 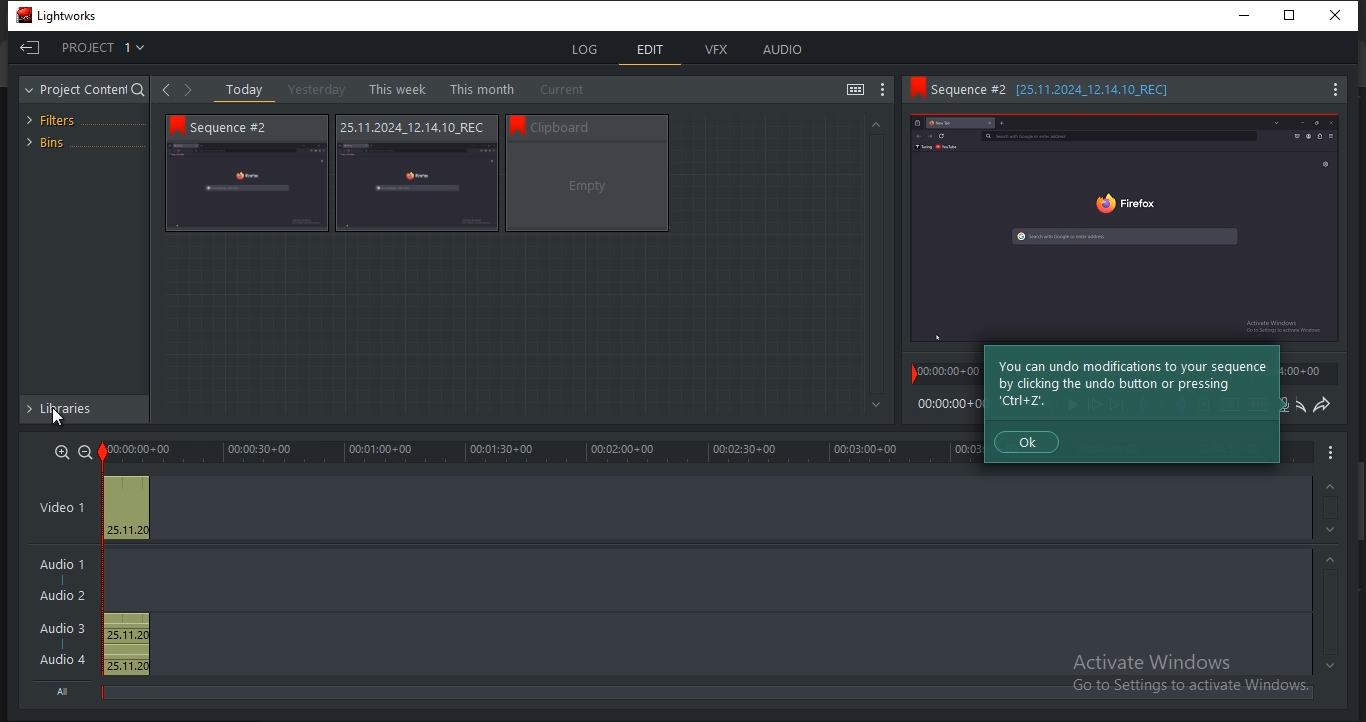 What do you see at coordinates (602, 126) in the screenshot?
I see `Sequence information` at bounding box center [602, 126].